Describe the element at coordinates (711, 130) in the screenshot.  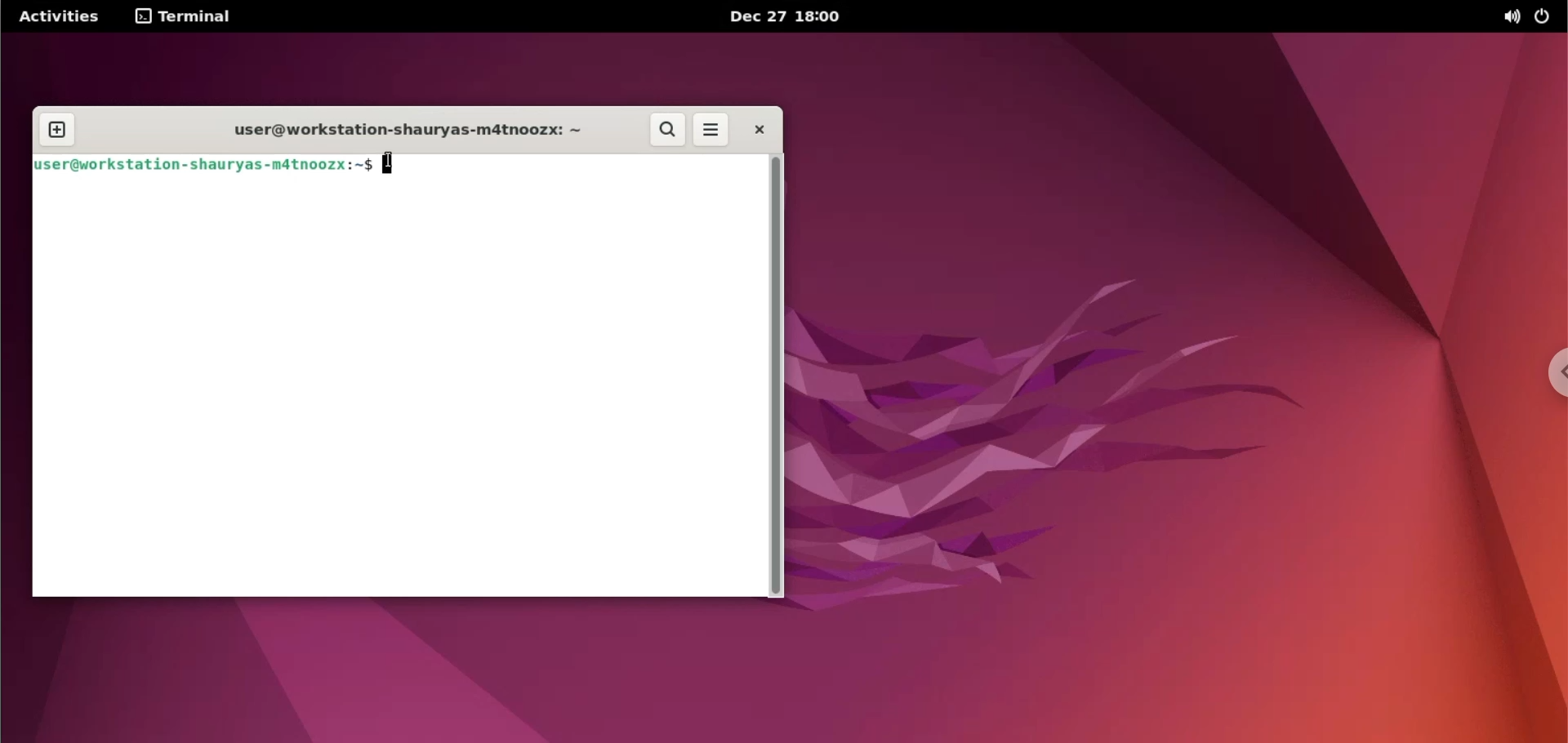
I see `menu` at that location.